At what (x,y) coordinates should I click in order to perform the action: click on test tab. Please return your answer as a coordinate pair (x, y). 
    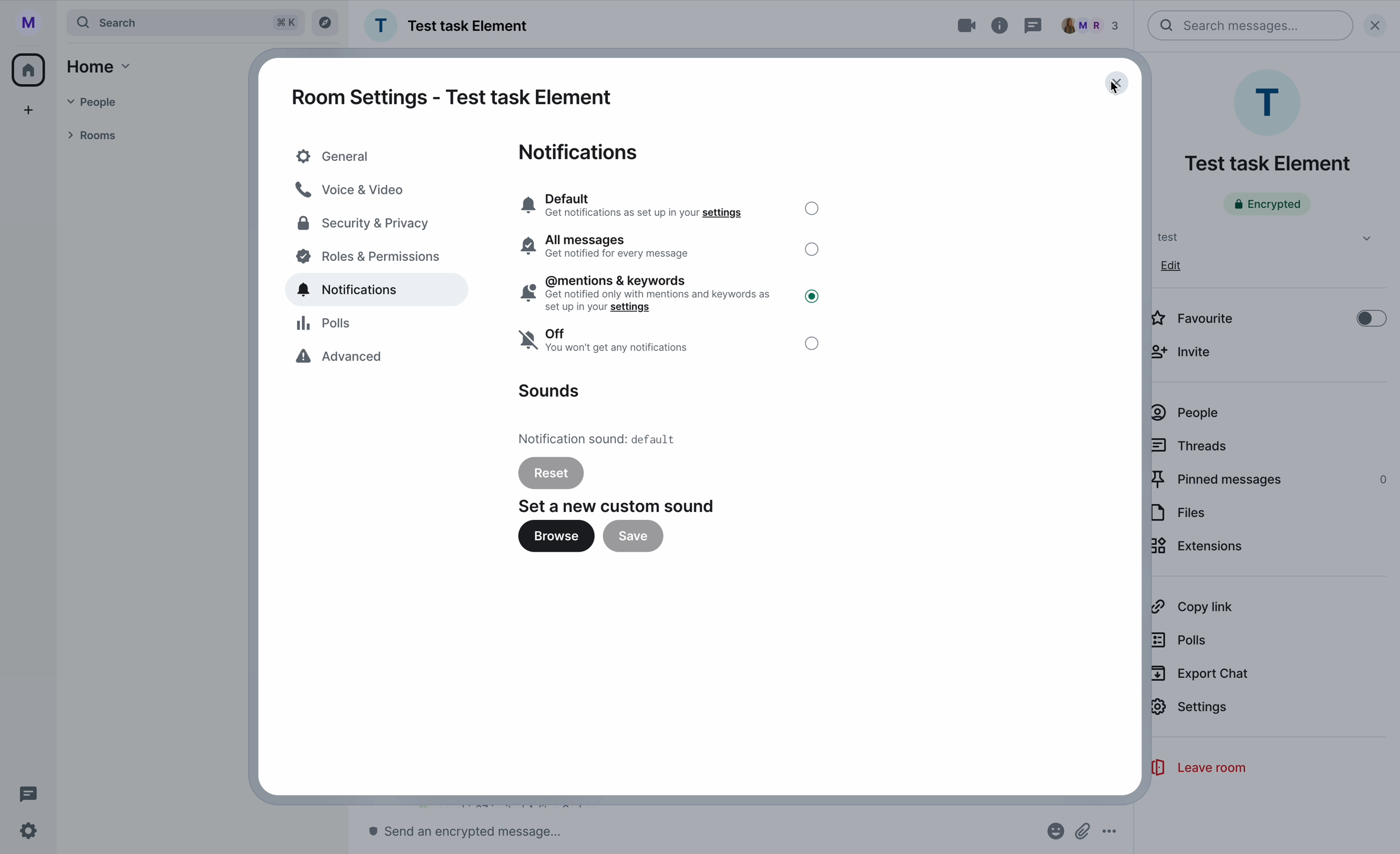
    Looking at the image, I should click on (1260, 237).